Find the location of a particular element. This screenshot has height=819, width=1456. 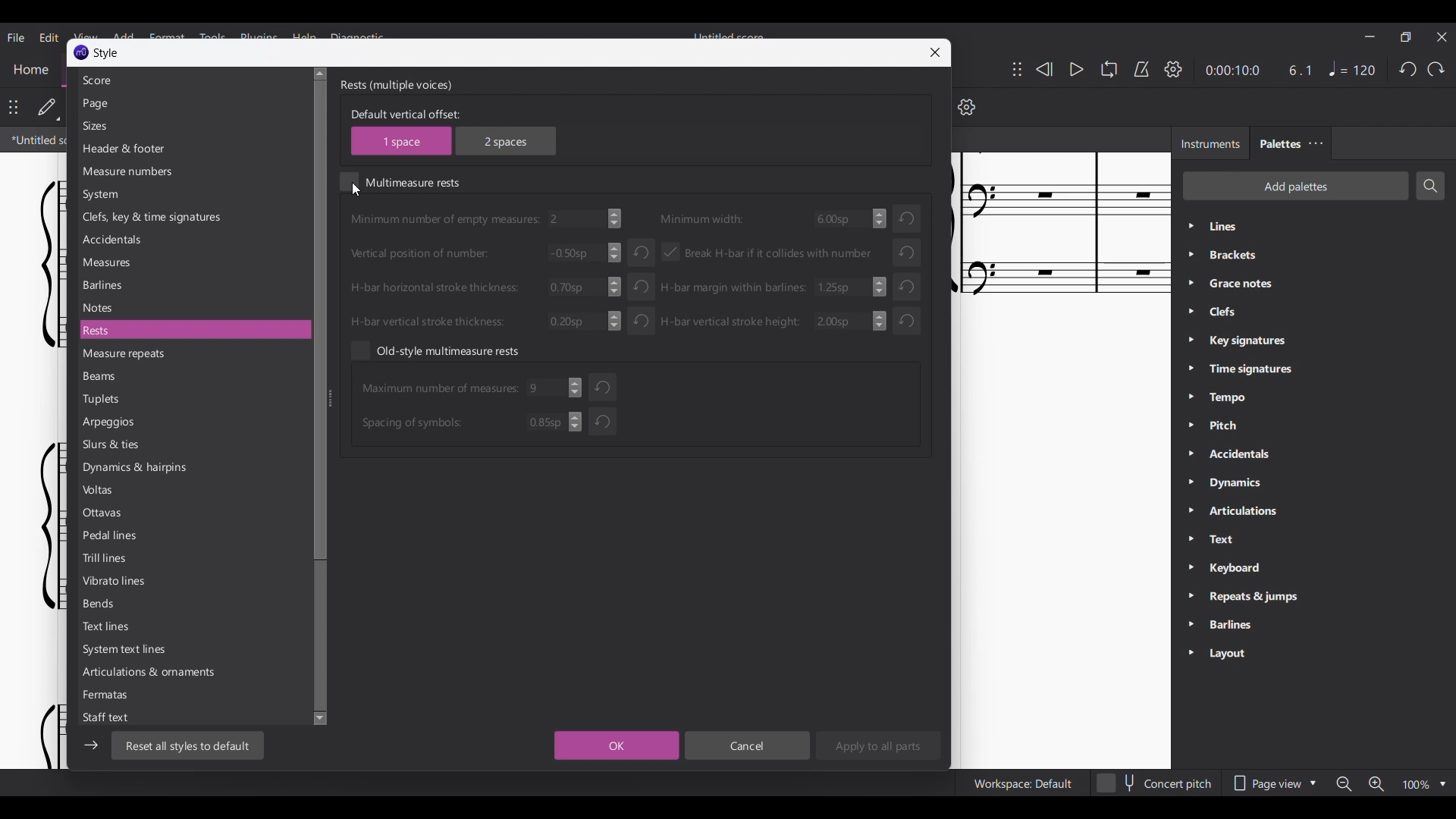

Input max. number of Spacing of symbols is located at coordinates (462, 422).